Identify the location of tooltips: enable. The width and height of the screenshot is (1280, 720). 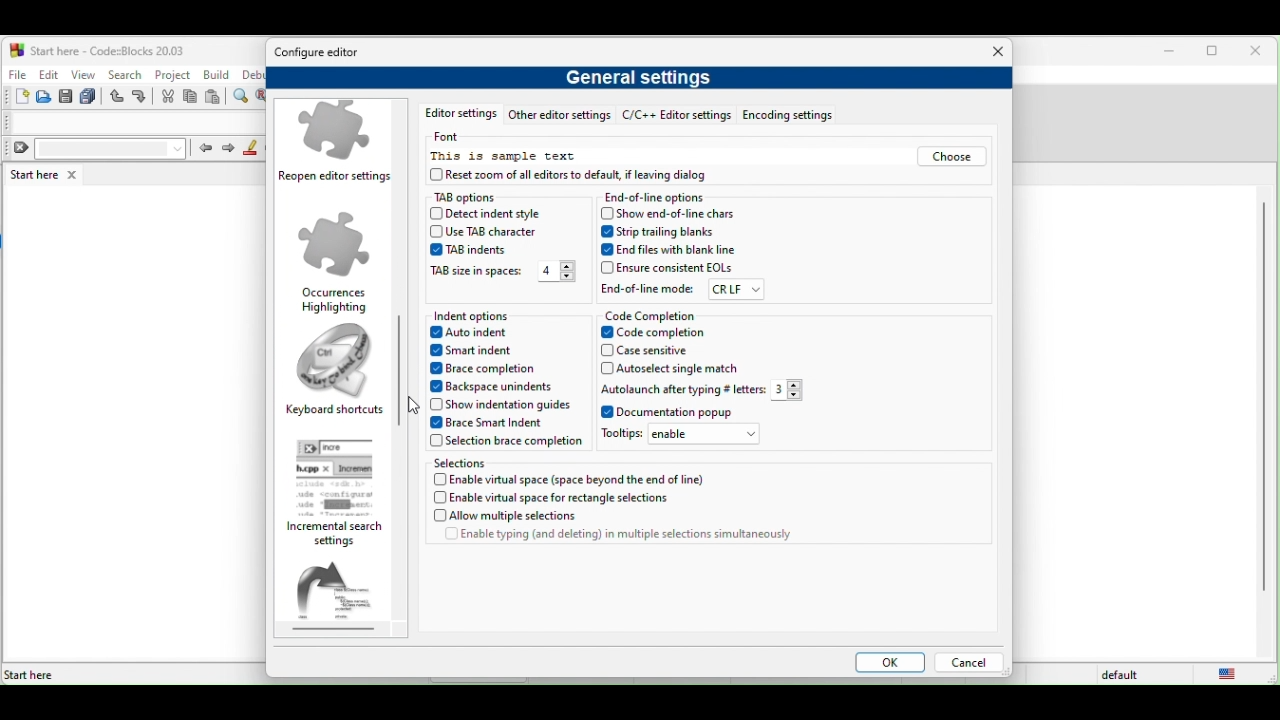
(686, 437).